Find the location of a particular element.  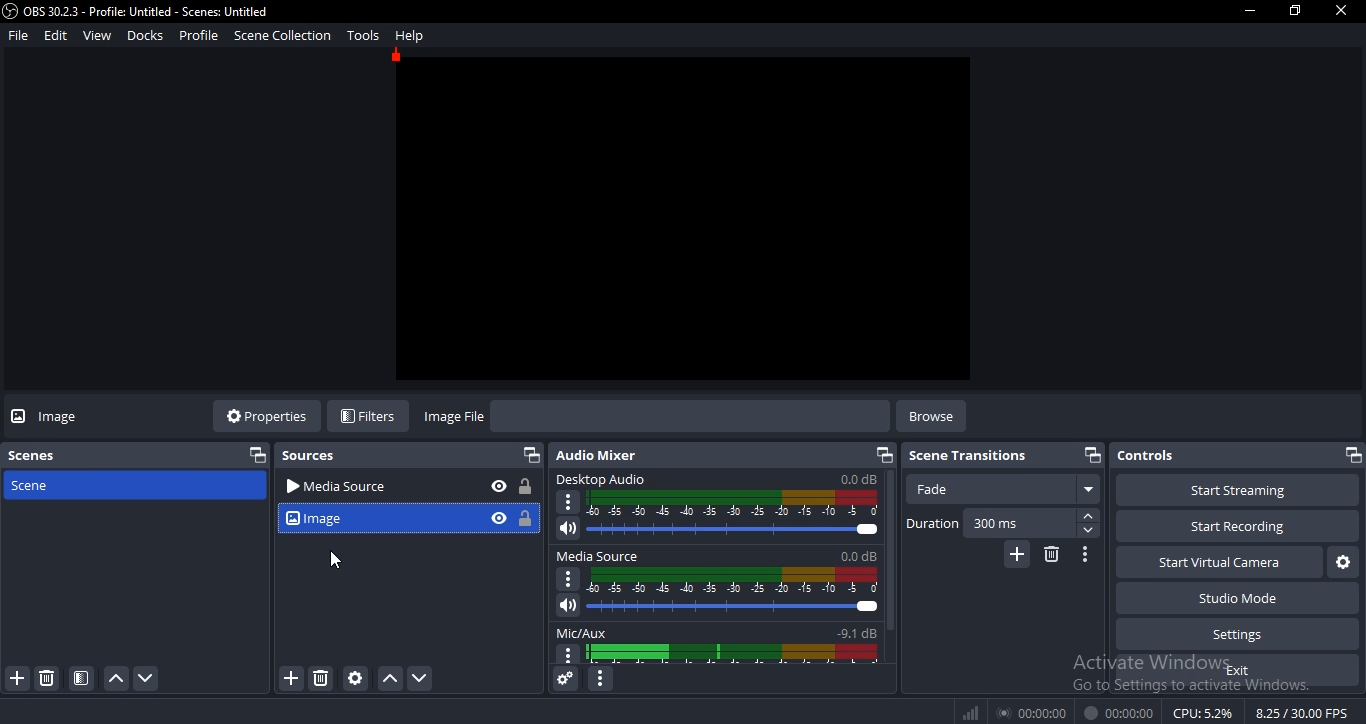

volume slider is located at coordinates (719, 607).